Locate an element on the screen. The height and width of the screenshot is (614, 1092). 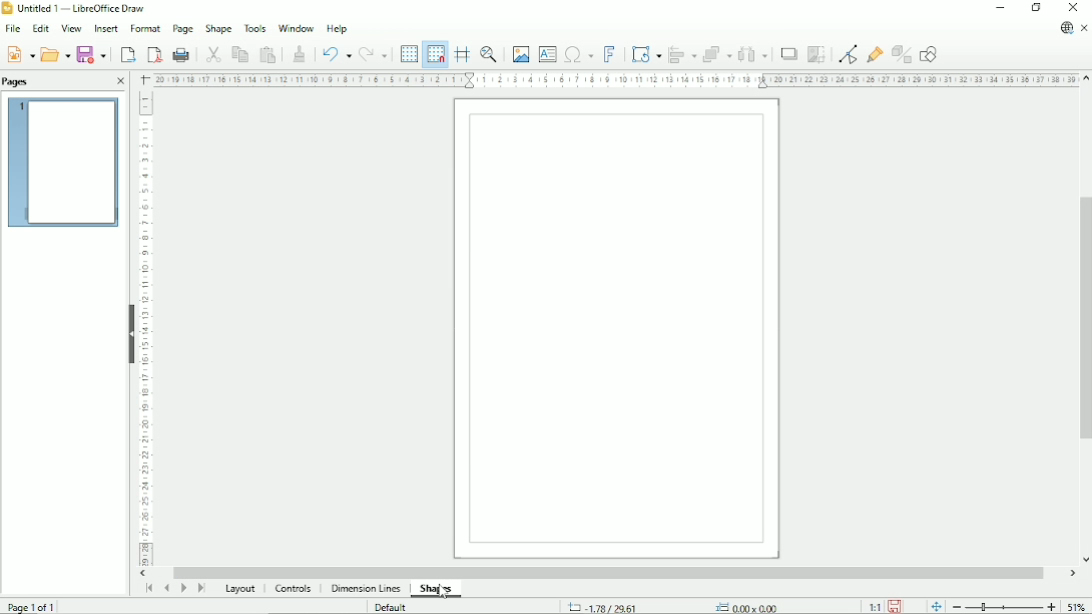
Cut is located at coordinates (210, 54).